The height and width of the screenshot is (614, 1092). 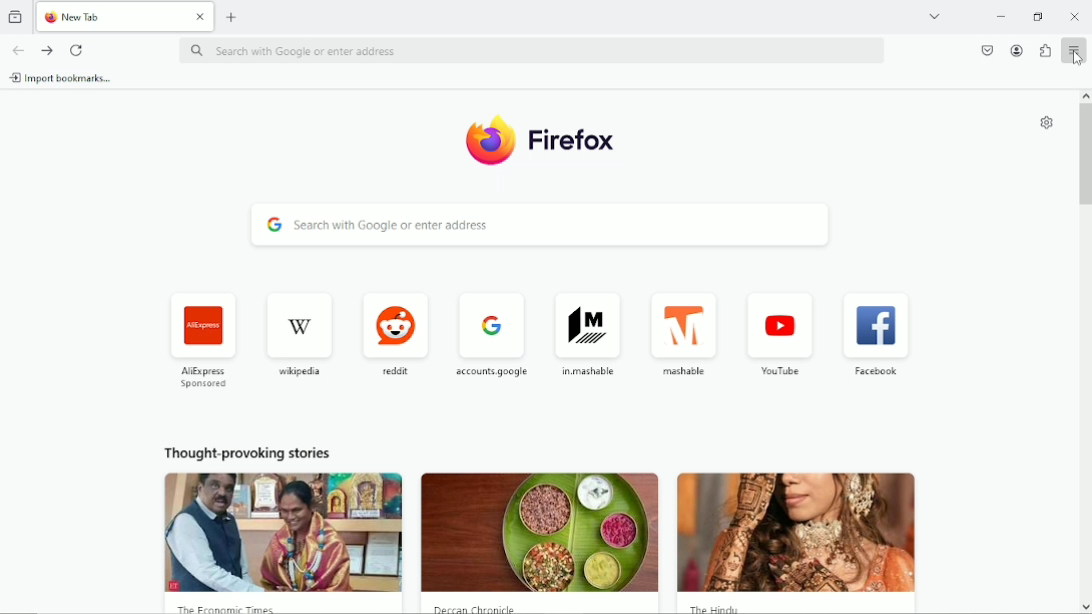 What do you see at coordinates (489, 140) in the screenshot?
I see `firefox Logo` at bounding box center [489, 140].